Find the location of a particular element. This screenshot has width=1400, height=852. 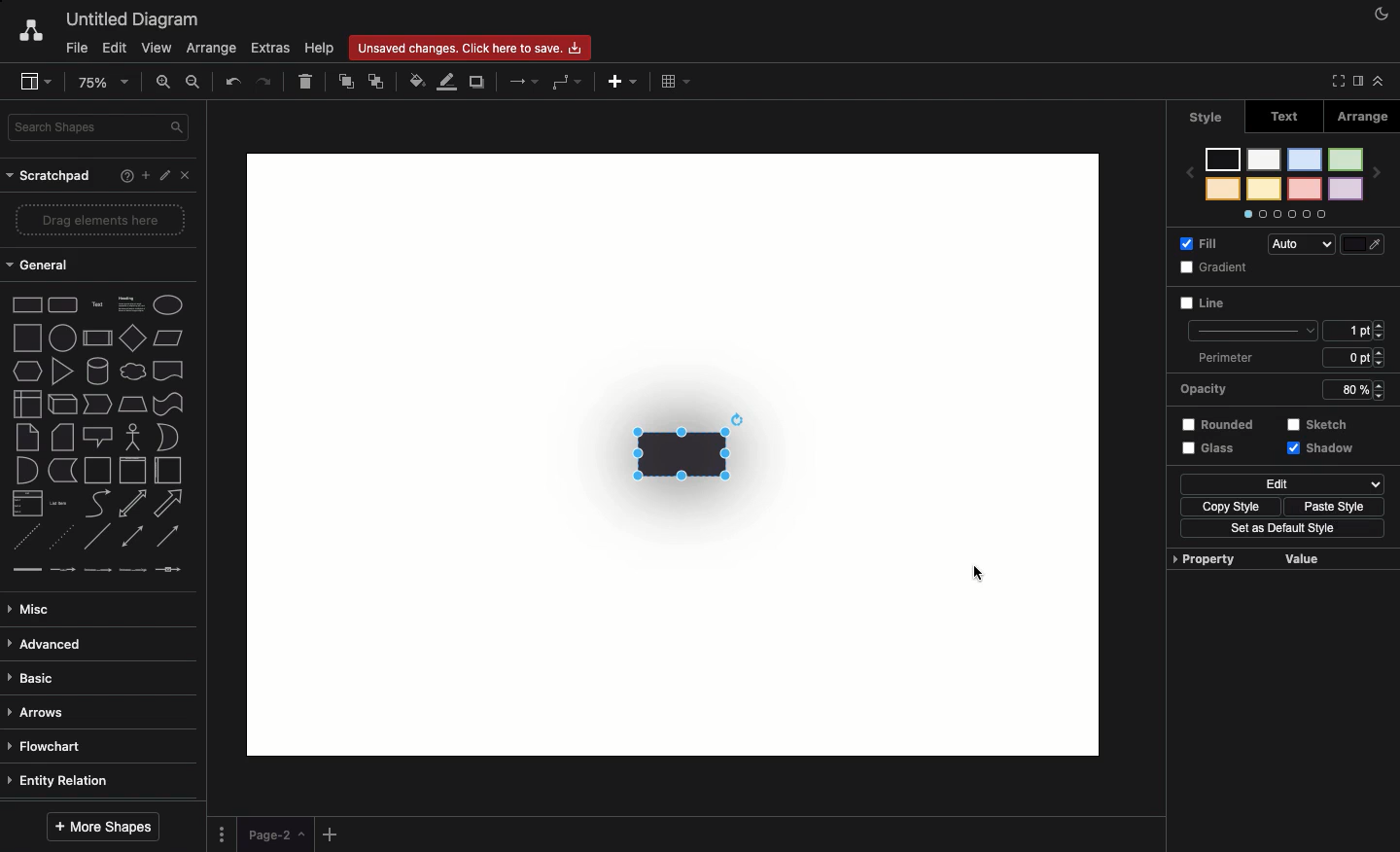

Delete is located at coordinates (310, 84).